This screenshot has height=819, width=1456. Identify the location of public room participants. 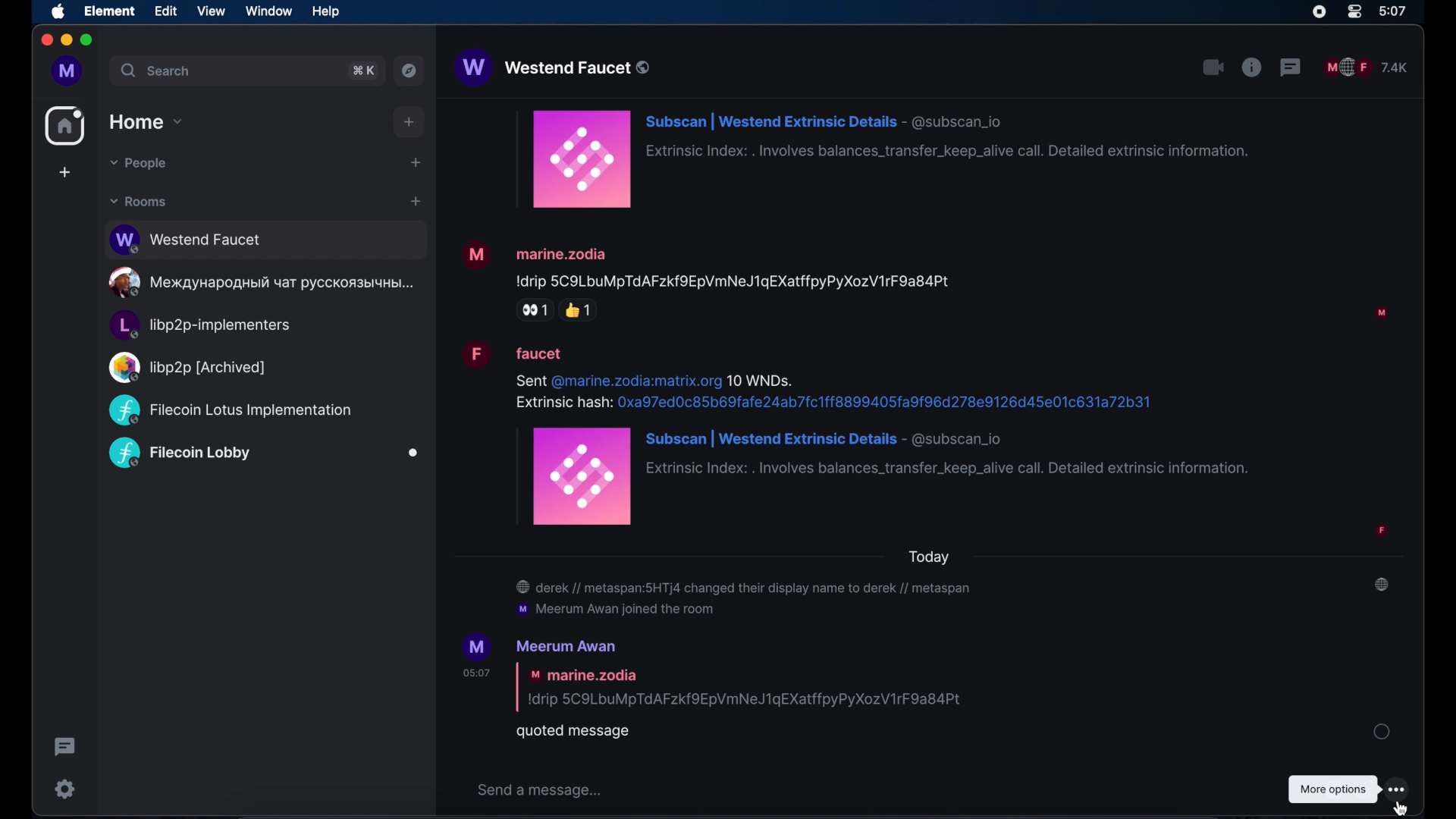
(1367, 67).